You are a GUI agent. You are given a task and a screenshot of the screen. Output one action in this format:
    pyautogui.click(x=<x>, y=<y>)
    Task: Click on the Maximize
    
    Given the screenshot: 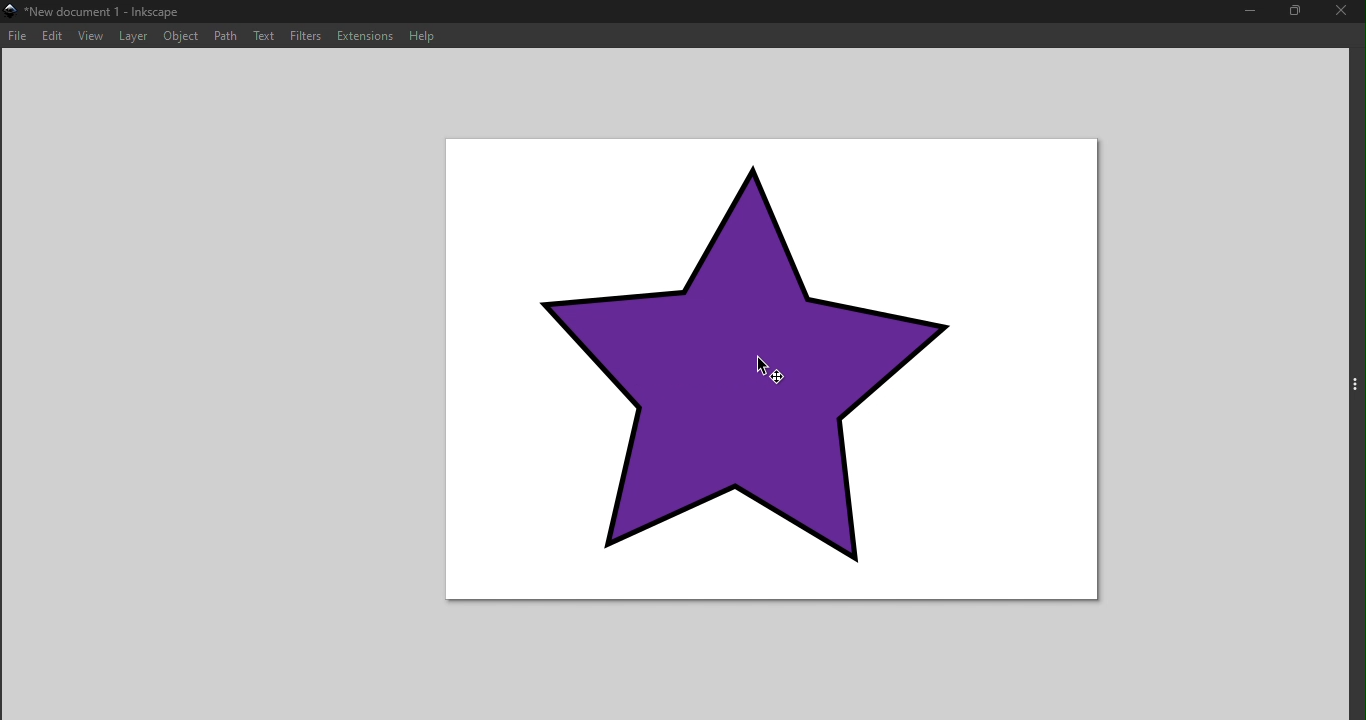 What is the action you would take?
    pyautogui.click(x=1296, y=12)
    